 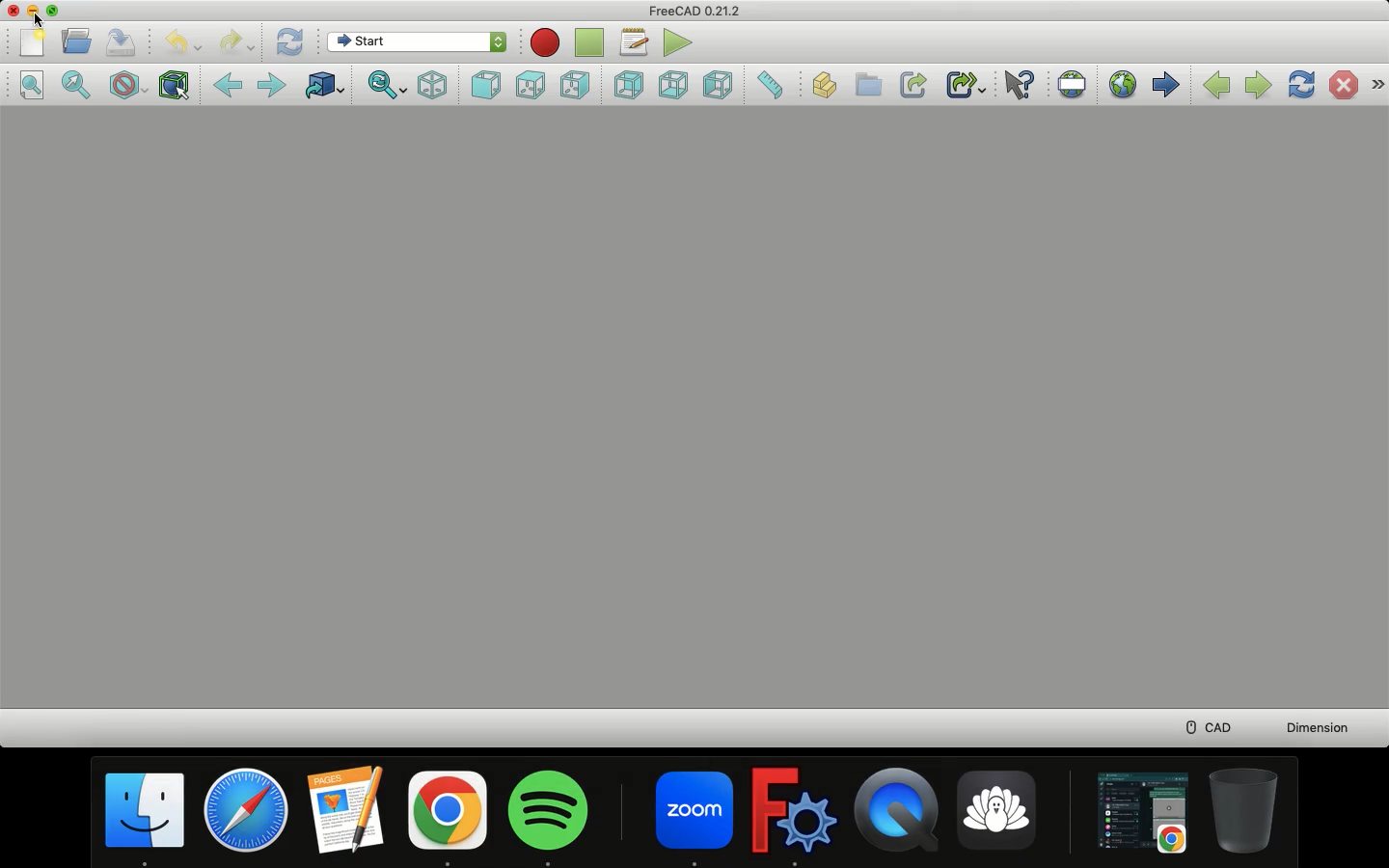 I want to click on Zoom, so click(x=694, y=817).